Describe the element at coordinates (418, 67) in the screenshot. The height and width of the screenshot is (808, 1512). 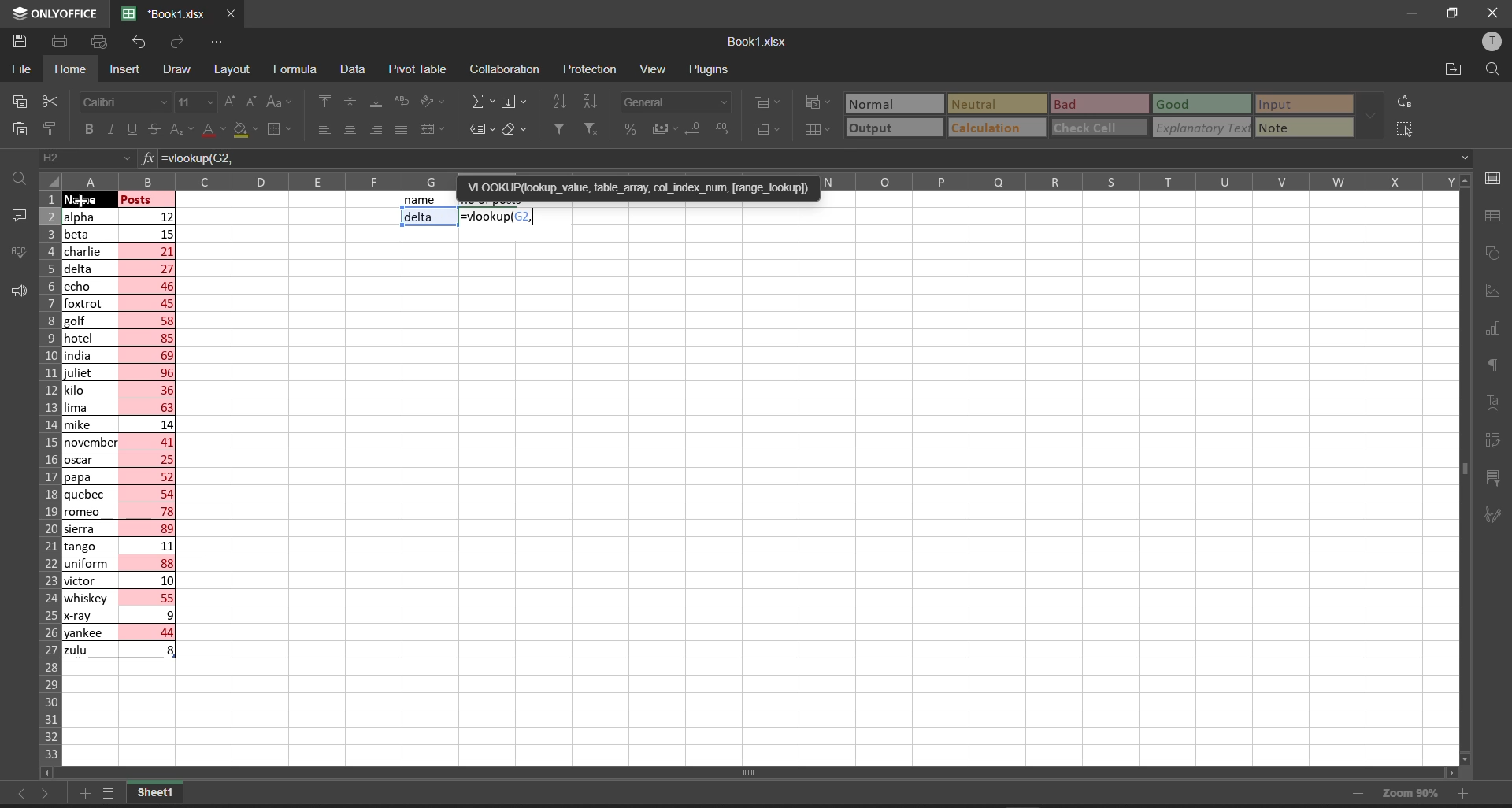
I see `pivot table` at that location.